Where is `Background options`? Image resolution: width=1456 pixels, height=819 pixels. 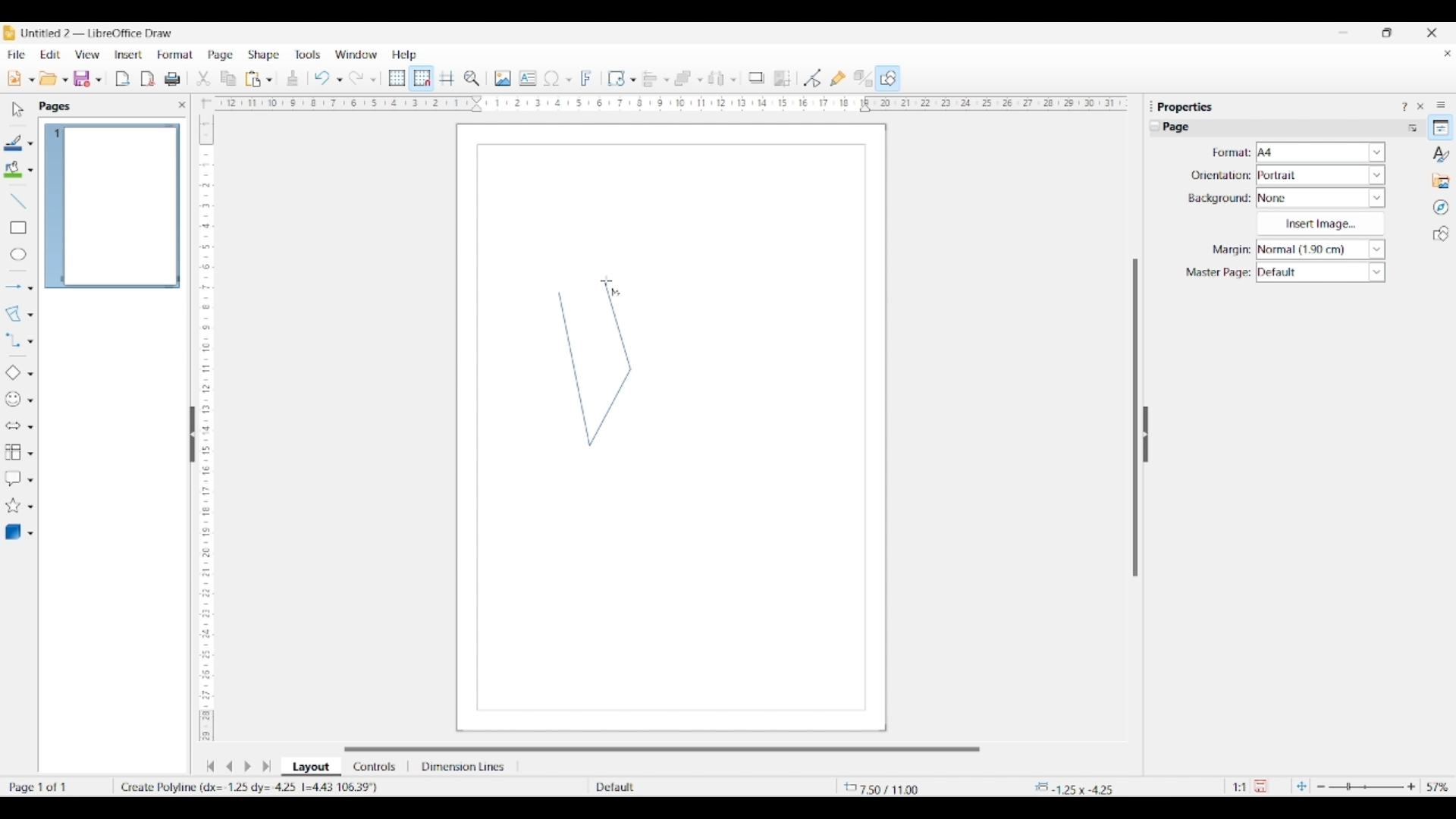
Background options is located at coordinates (1321, 198).